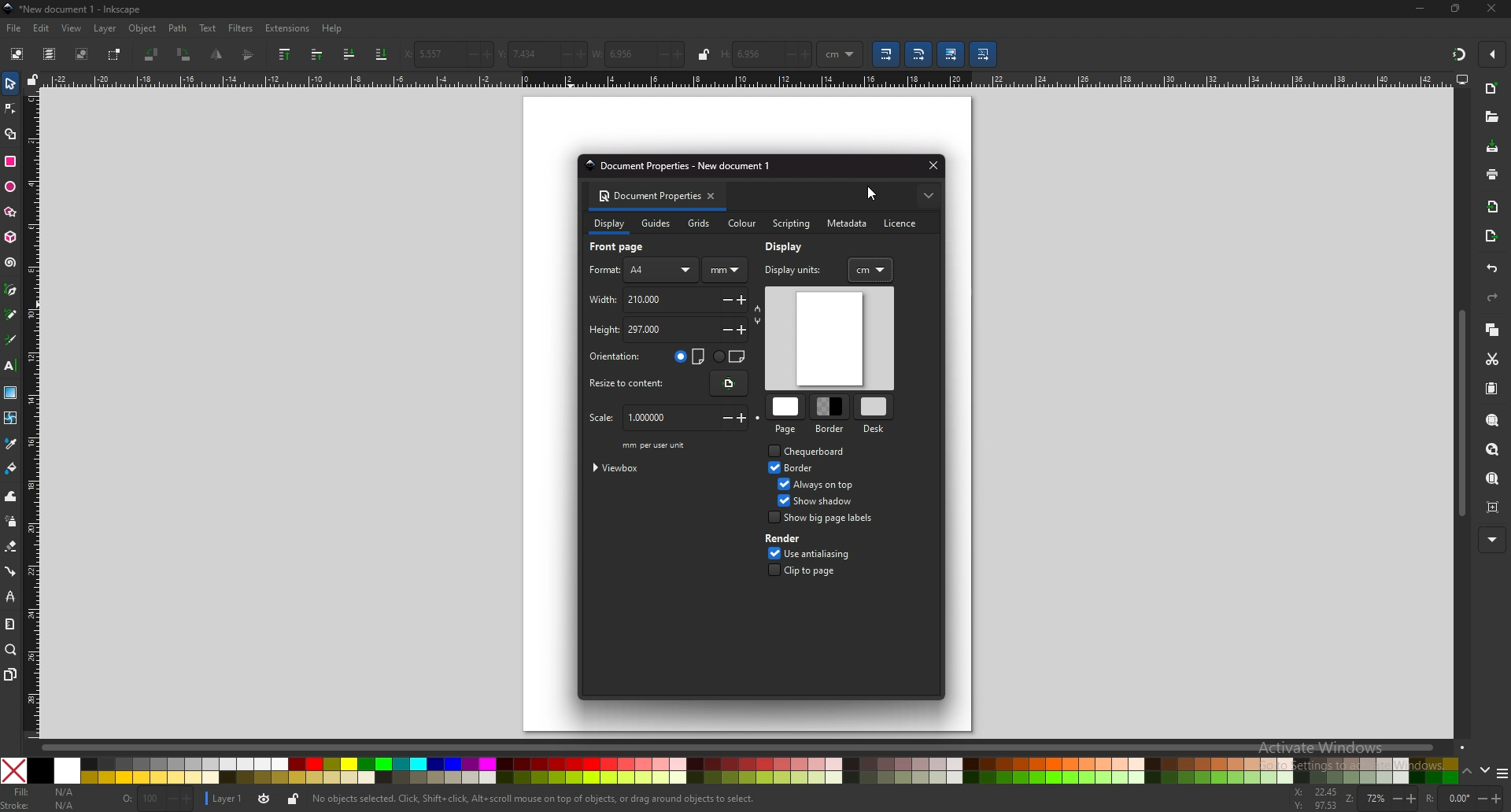 The height and width of the screenshot is (812, 1511). What do you see at coordinates (730, 355) in the screenshot?
I see `landscape` at bounding box center [730, 355].